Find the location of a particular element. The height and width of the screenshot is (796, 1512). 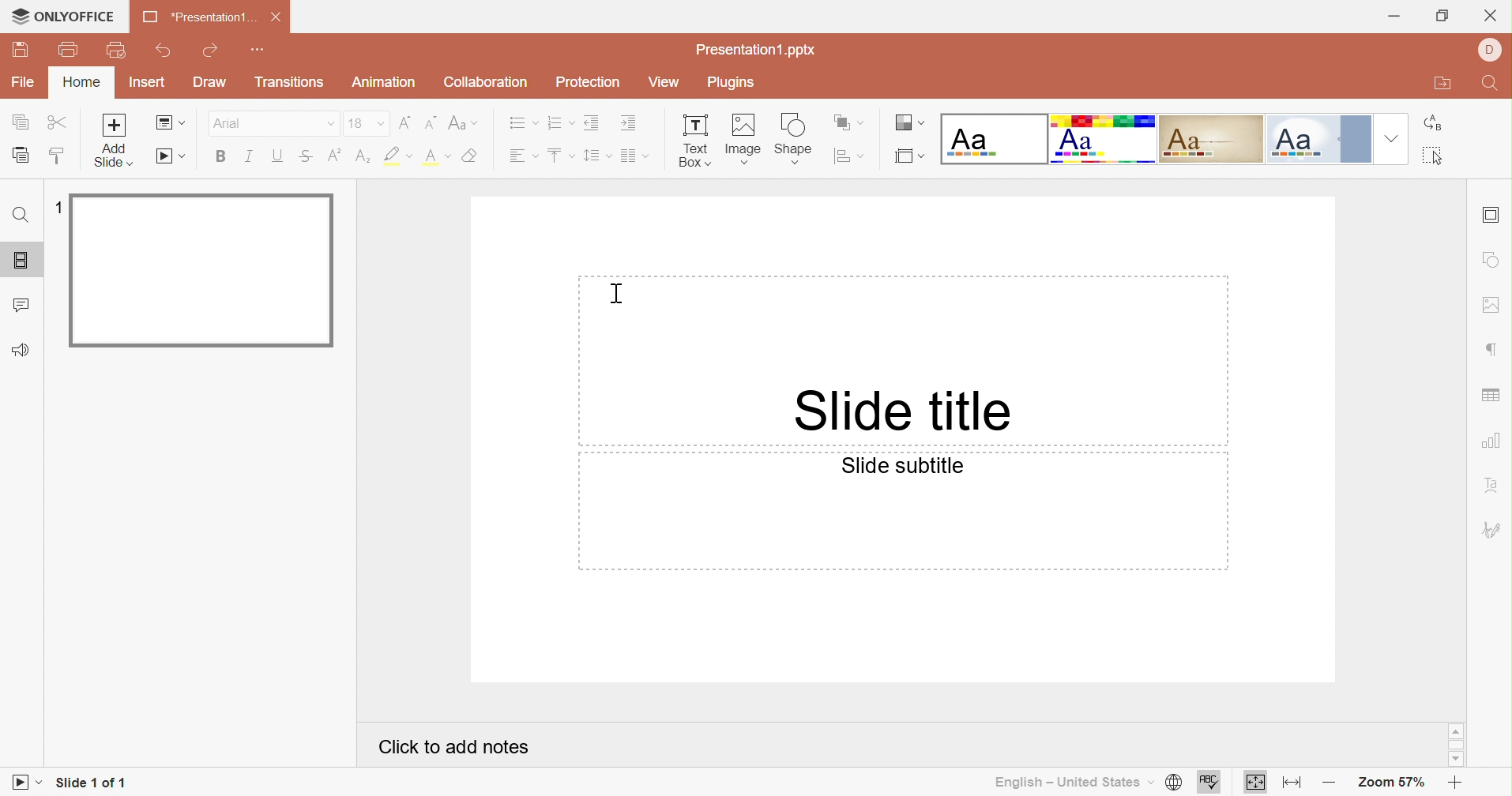

ONLYOFFICE is located at coordinates (74, 17).